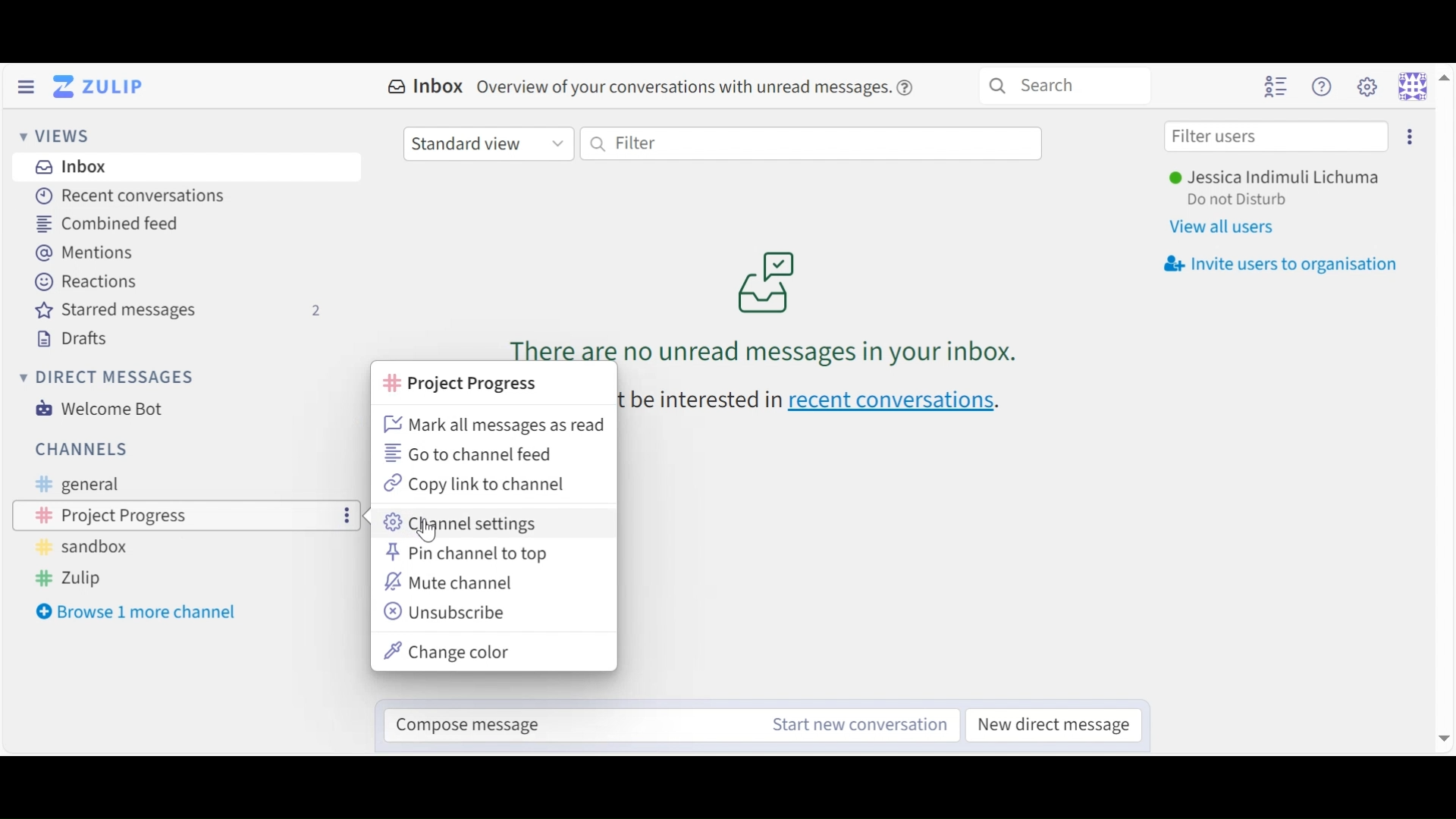  Describe the element at coordinates (107, 515) in the screenshot. I see `# Project Progress` at that location.